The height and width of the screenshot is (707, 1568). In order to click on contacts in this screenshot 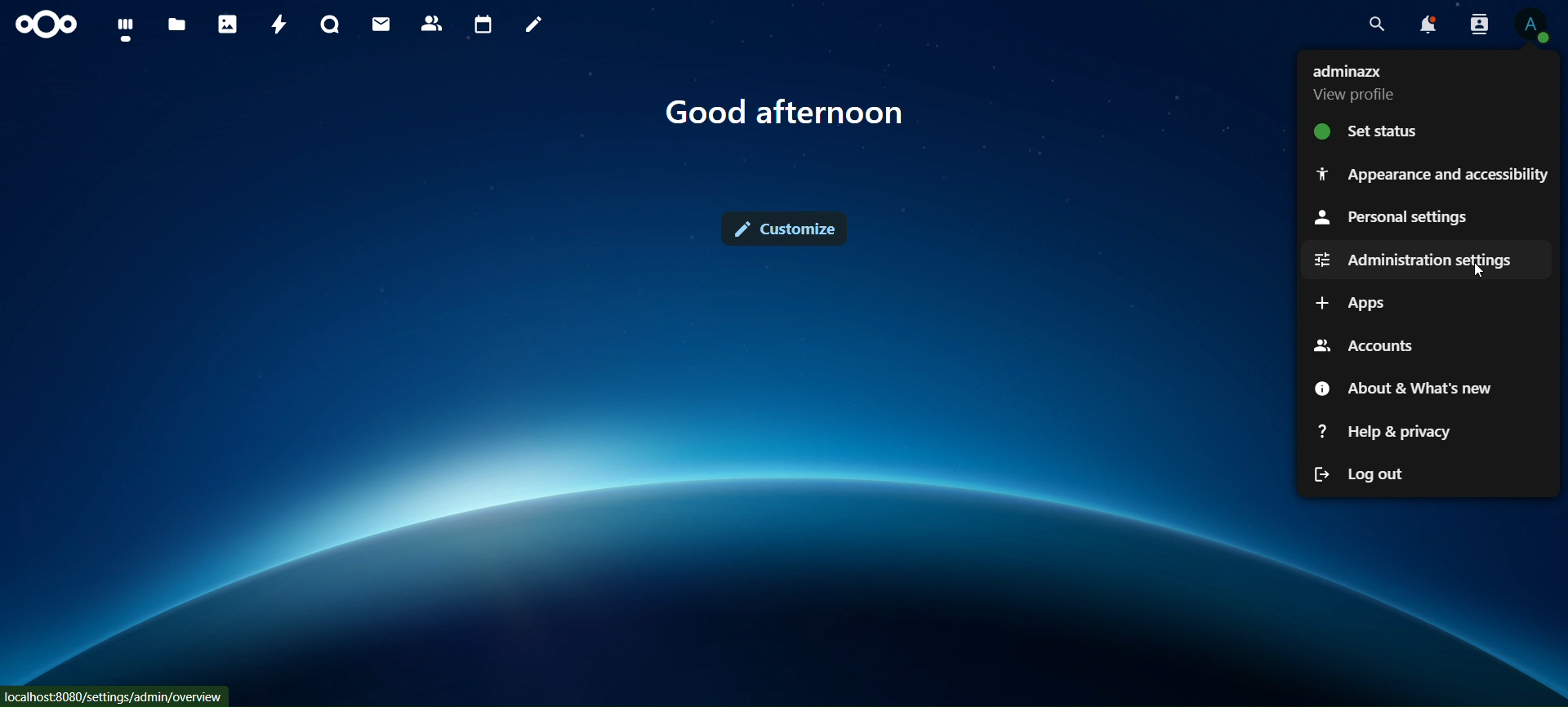, I will do `click(432, 23)`.